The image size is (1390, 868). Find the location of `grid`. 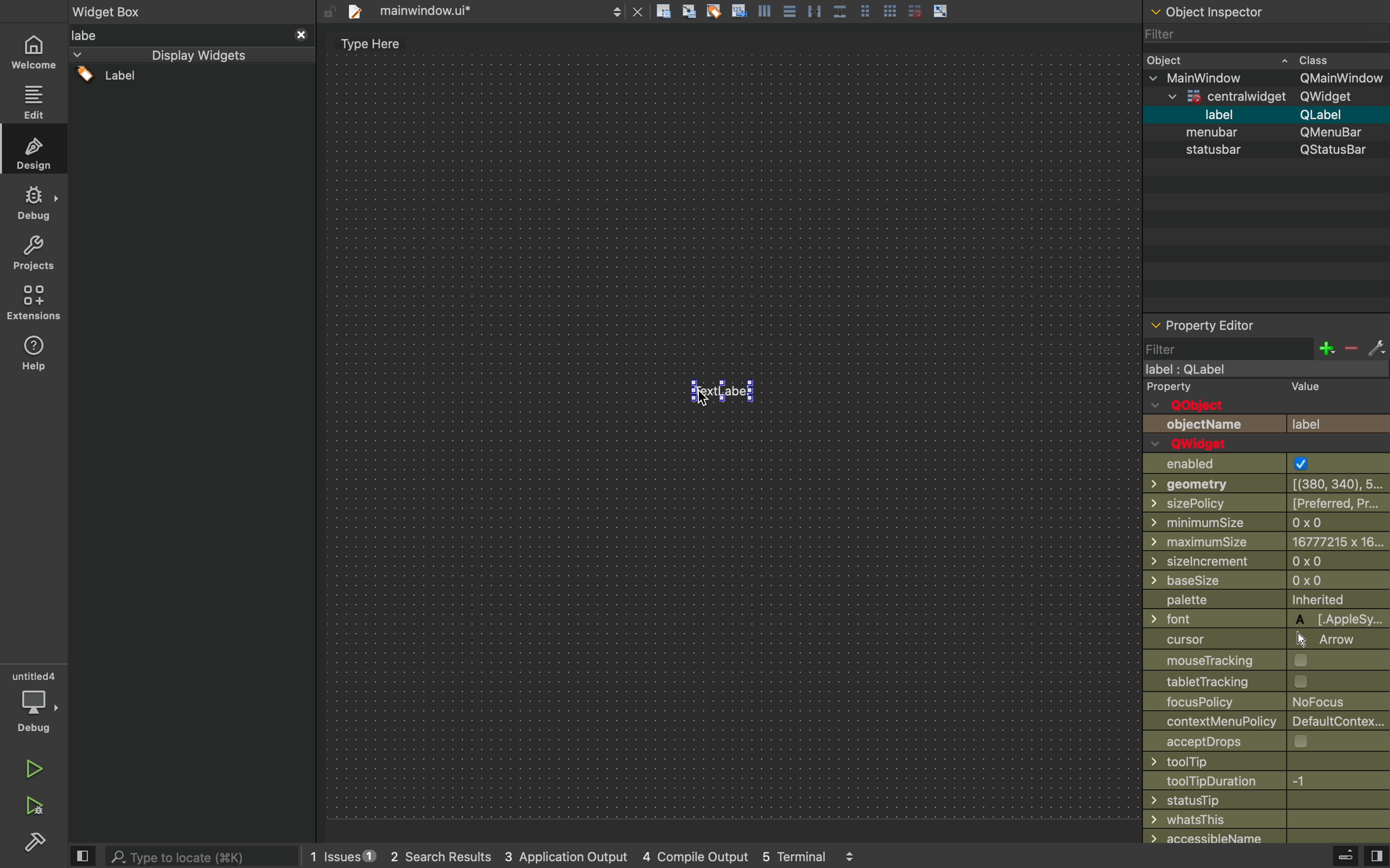

grid is located at coordinates (914, 11).